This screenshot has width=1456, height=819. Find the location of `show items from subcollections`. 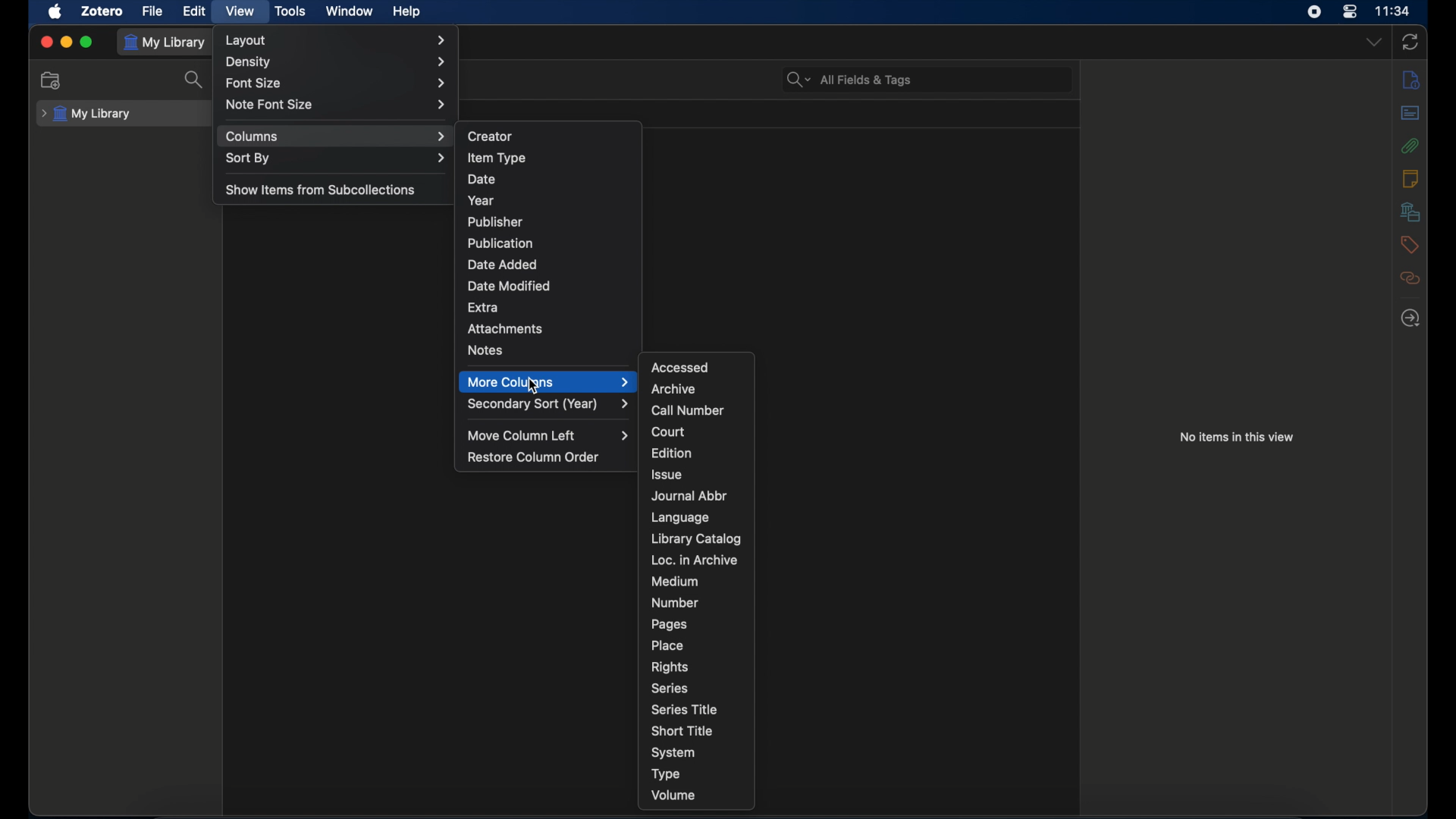

show items from subcollections is located at coordinates (322, 189).